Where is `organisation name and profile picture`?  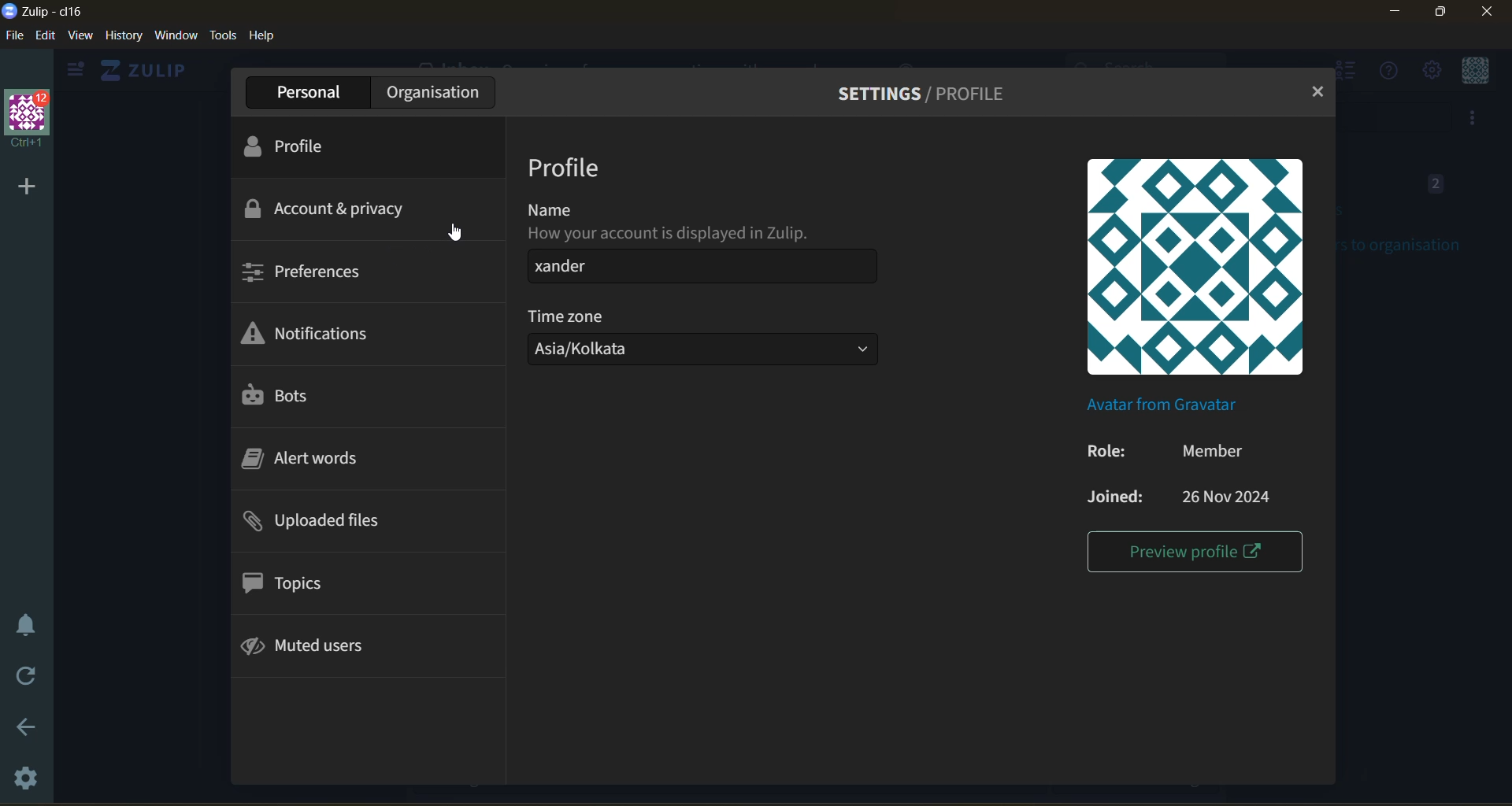
organisation name and profile picture is located at coordinates (30, 120).